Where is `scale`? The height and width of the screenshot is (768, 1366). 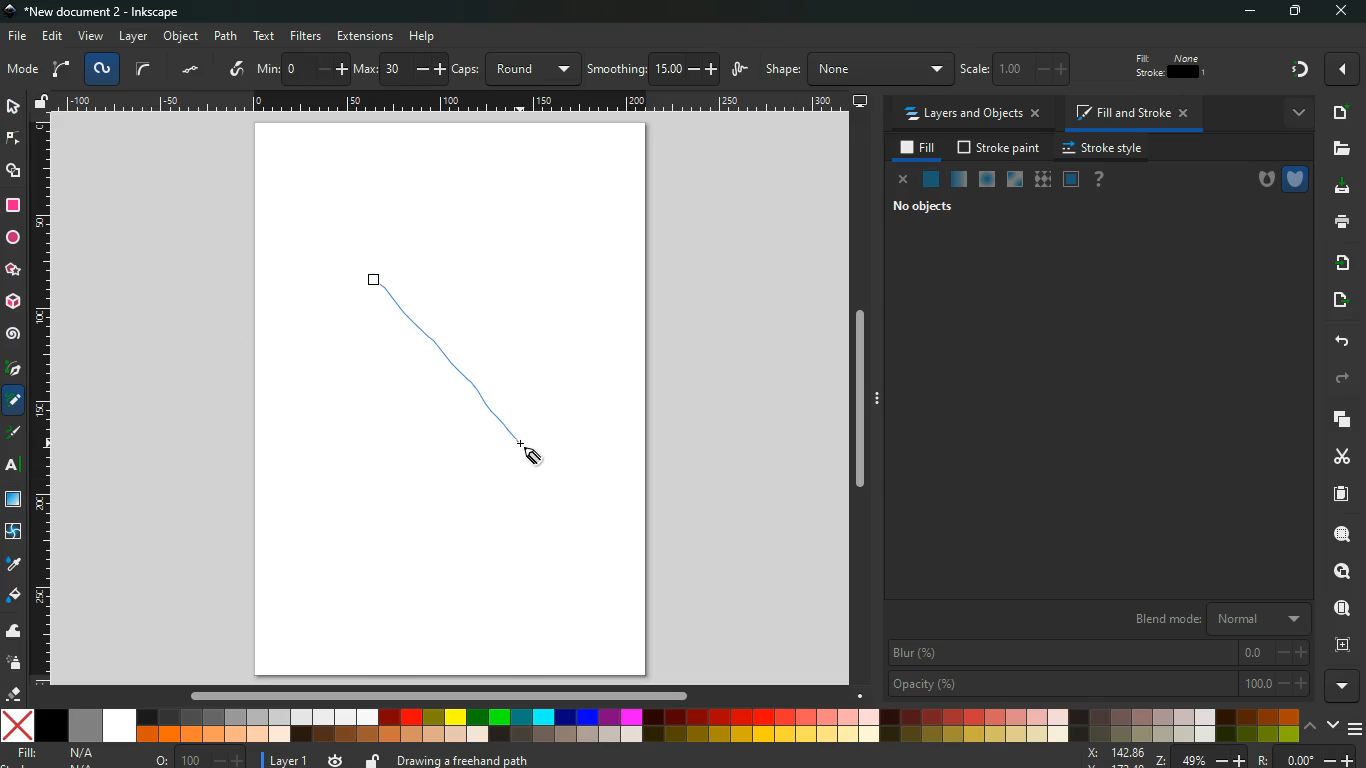 scale is located at coordinates (1025, 70).